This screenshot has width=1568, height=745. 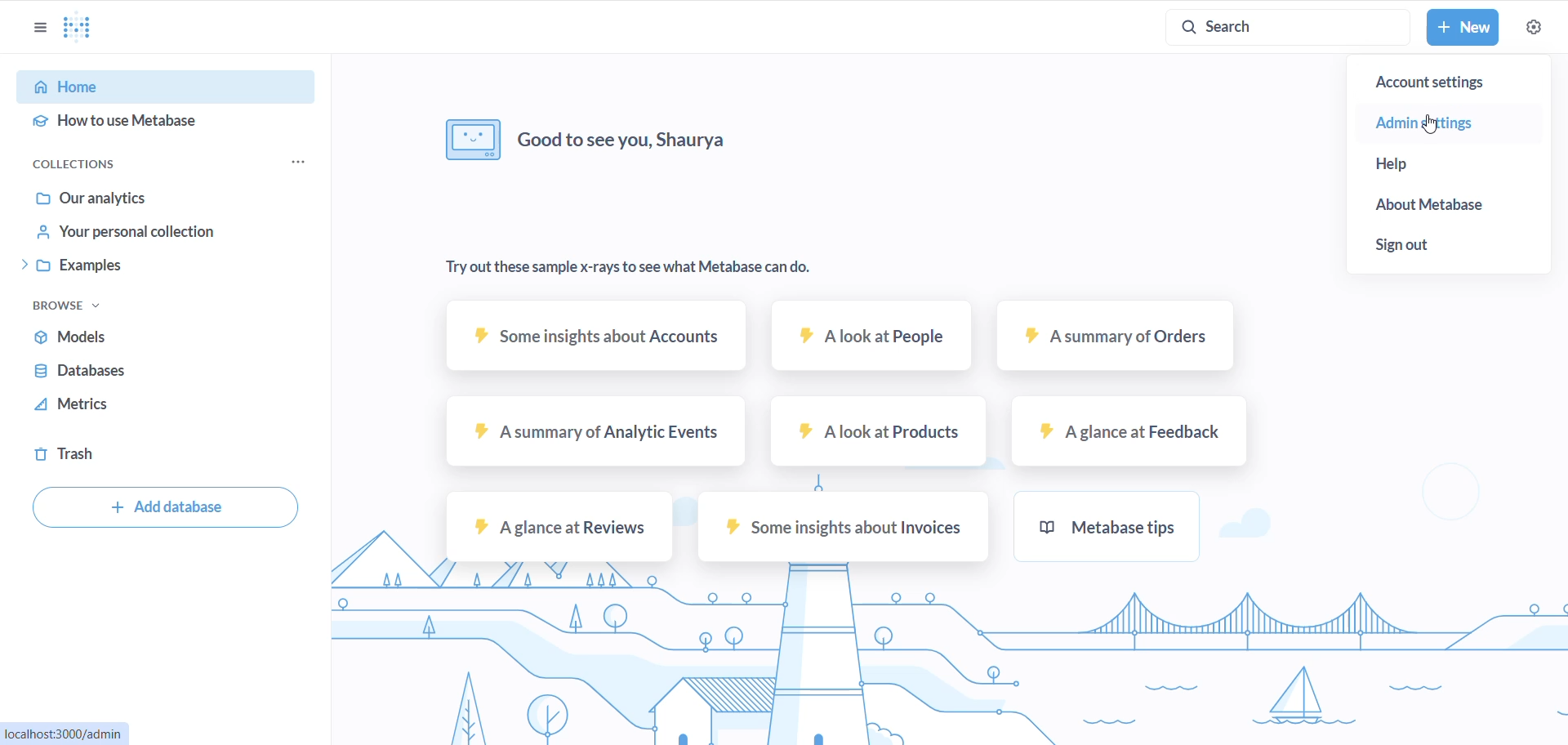 What do you see at coordinates (1535, 27) in the screenshot?
I see `settings` at bounding box center [1535, 27].